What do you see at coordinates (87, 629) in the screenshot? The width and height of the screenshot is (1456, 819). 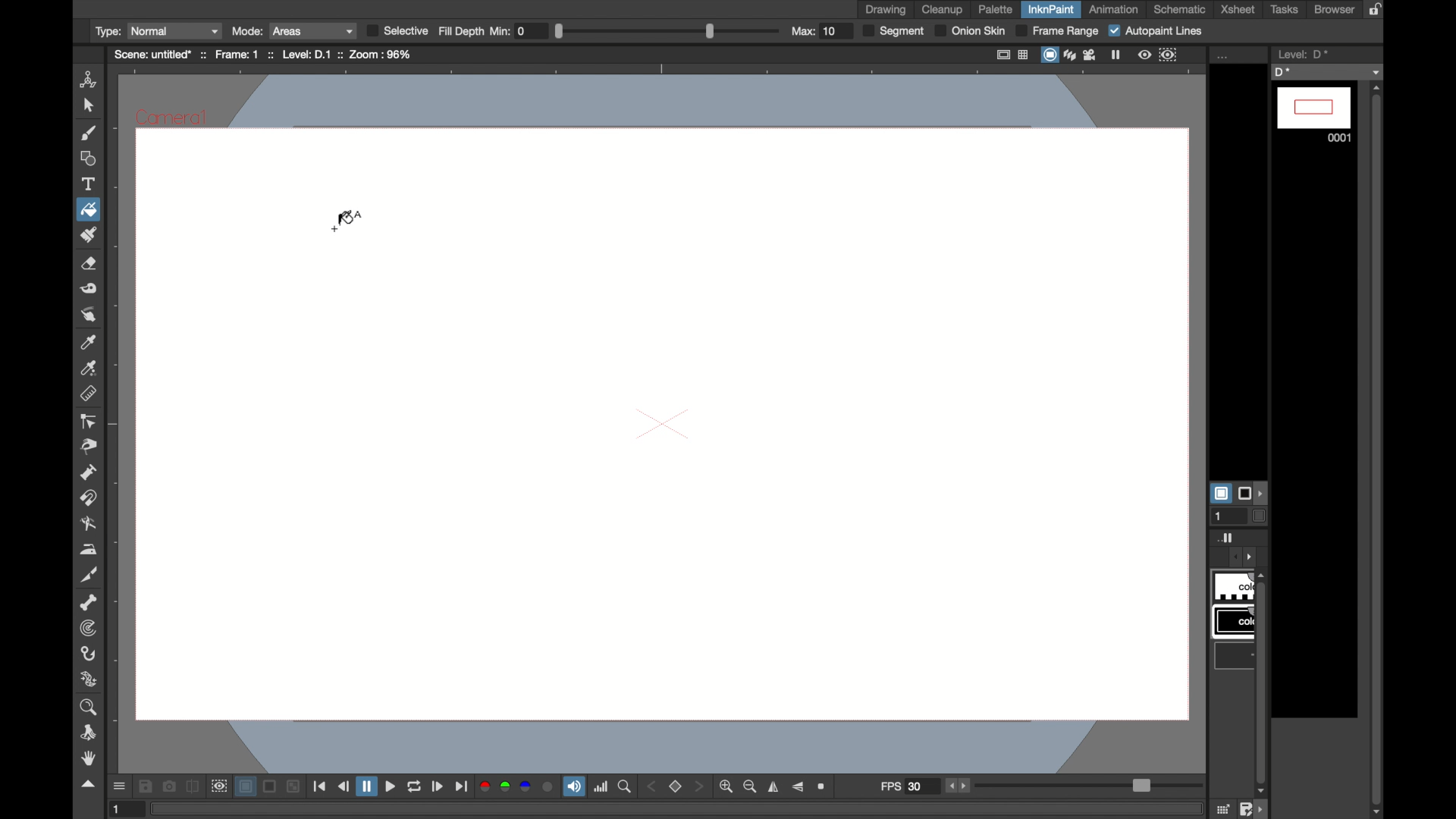 I see `tracker tool` at bounding box center [87, 629].